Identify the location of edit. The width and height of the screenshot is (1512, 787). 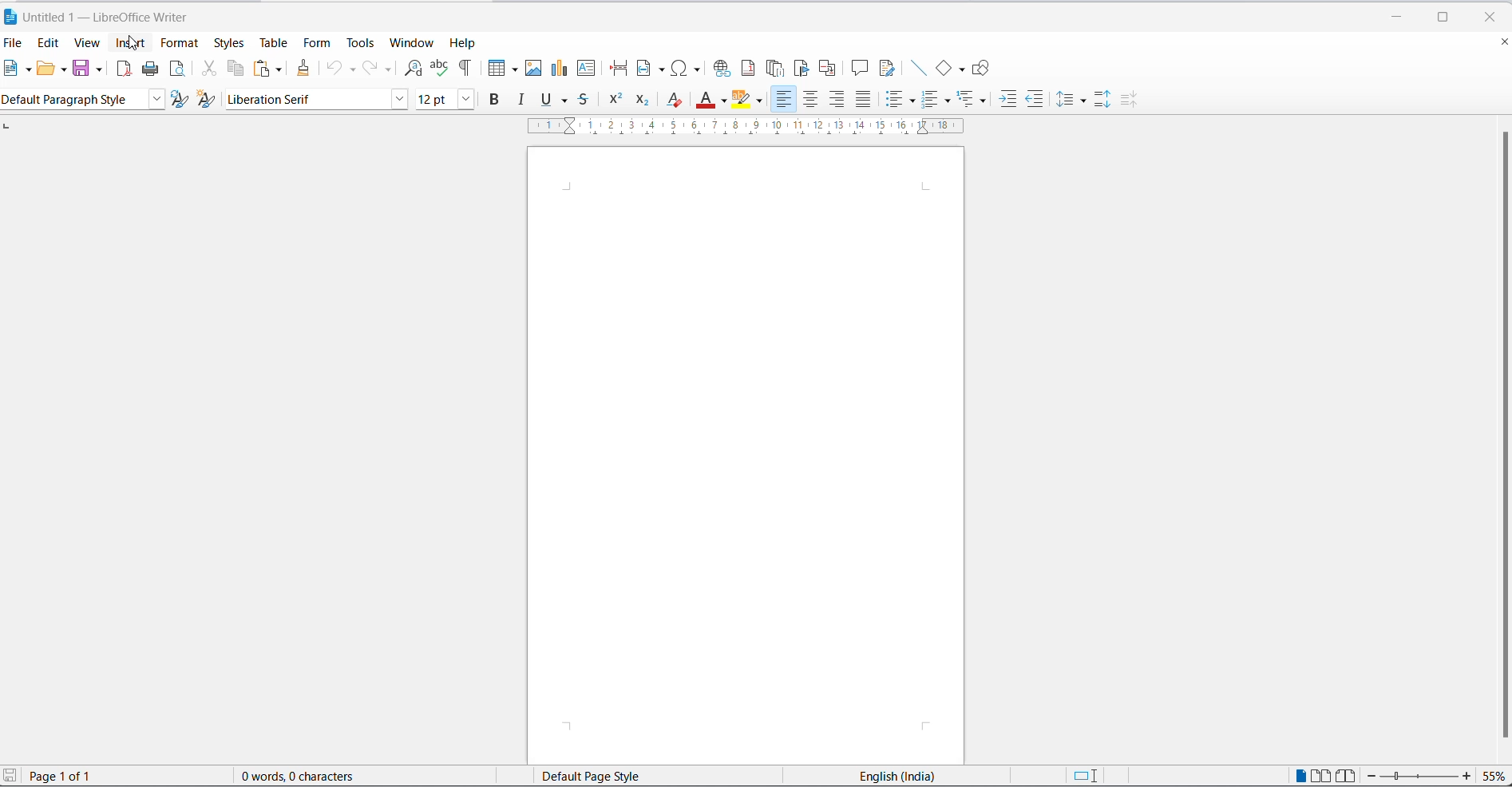
(49, 42).